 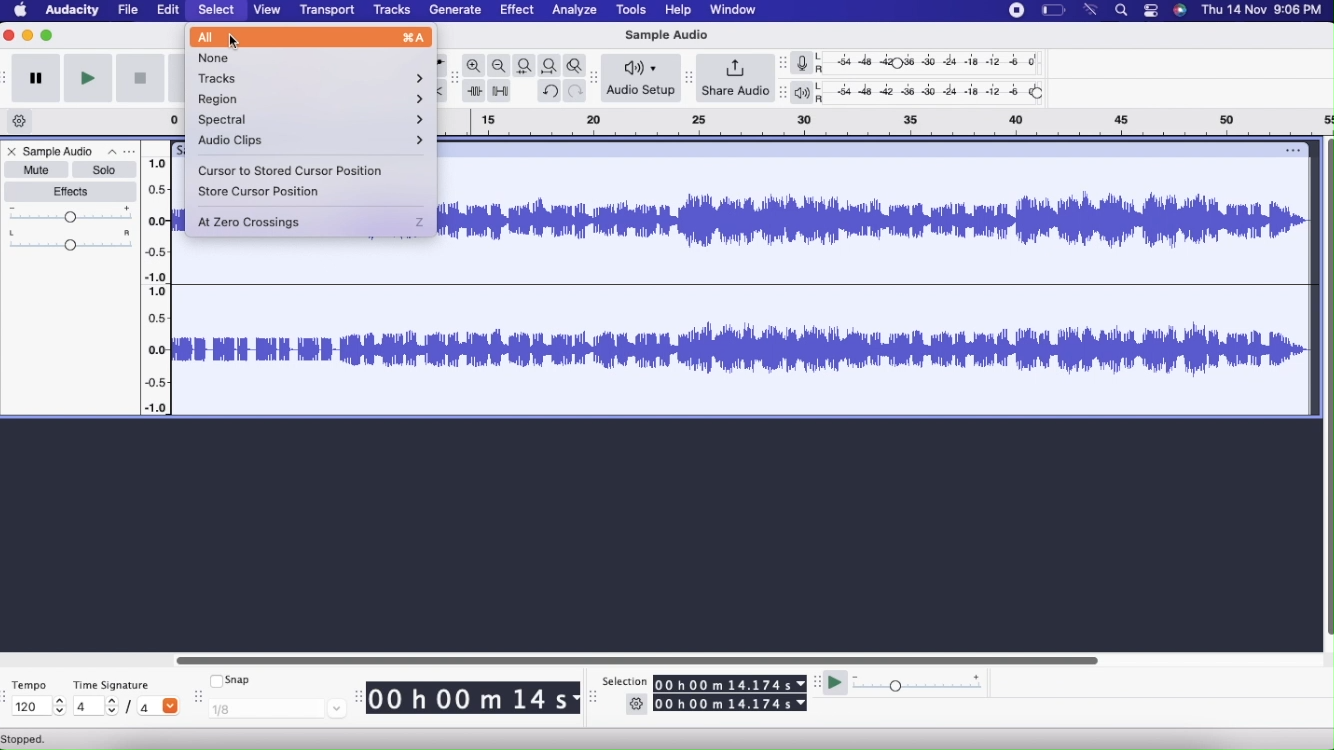 What do you see at coordinates (679, 10) in the screenshot?
I see `Help` at bounding box center [679, 10].